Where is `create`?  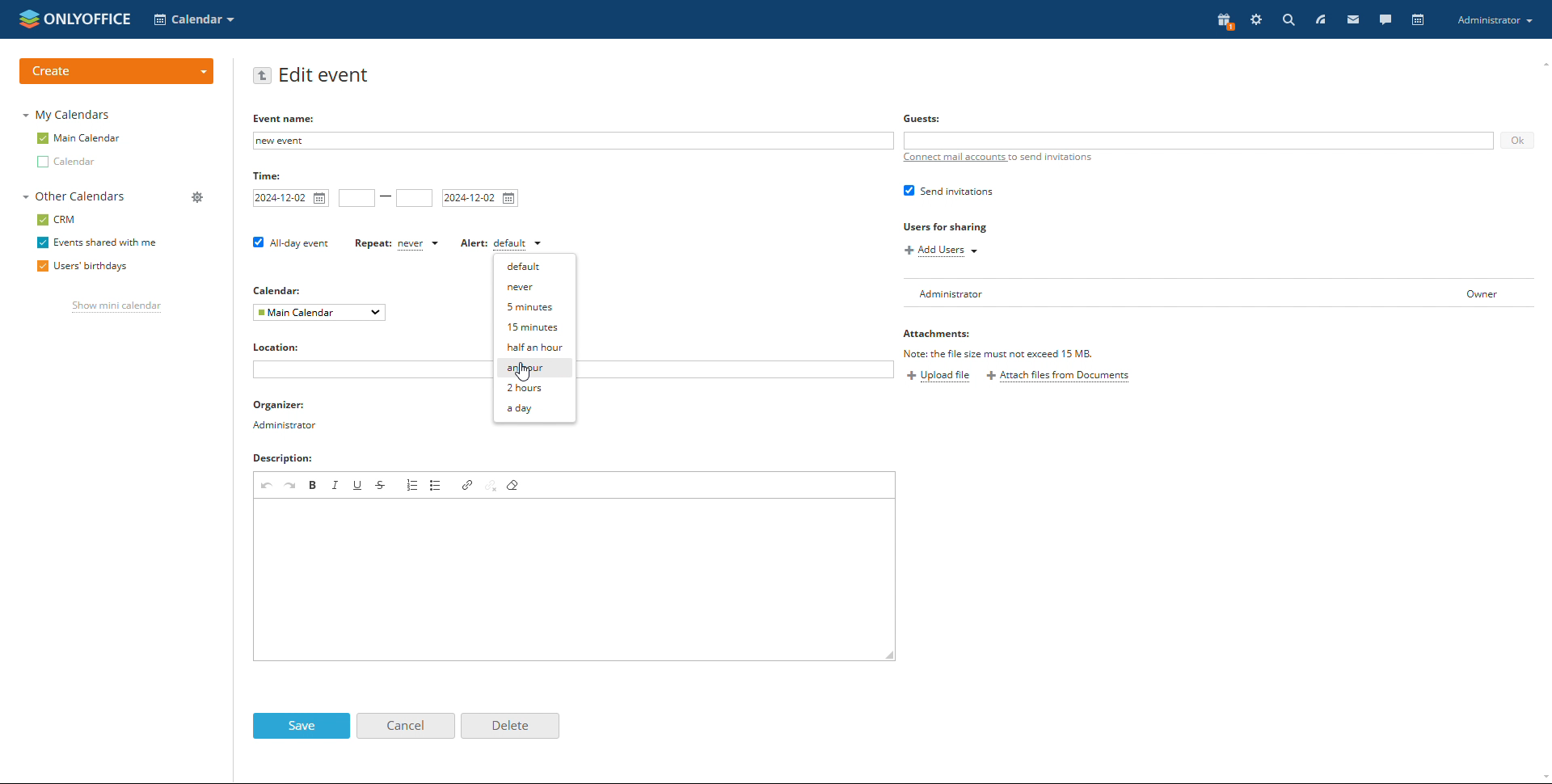
create is located at coordinates (116, 72).